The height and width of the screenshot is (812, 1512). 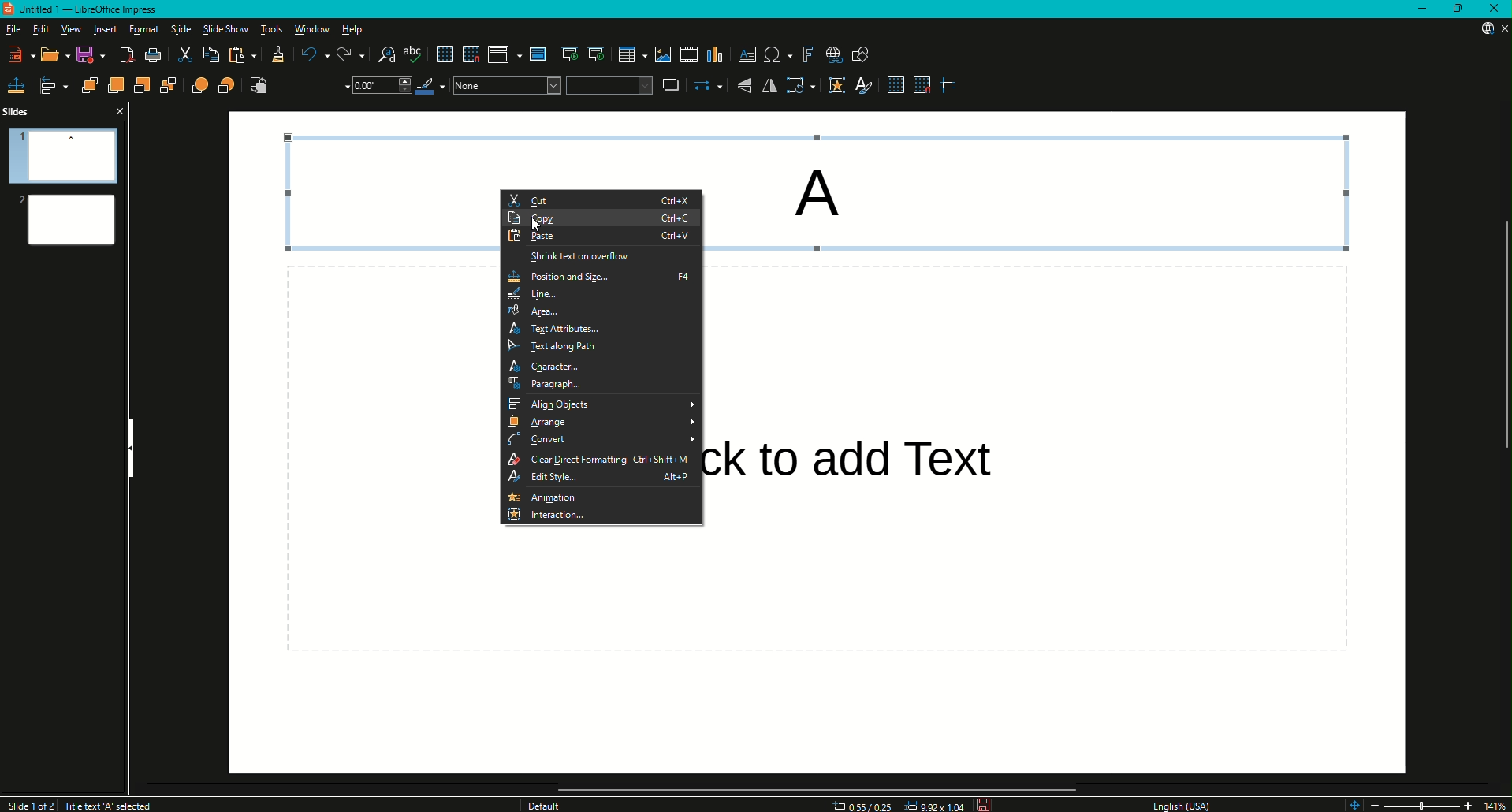 I want to click on Close, so click(x=1492, y=9).